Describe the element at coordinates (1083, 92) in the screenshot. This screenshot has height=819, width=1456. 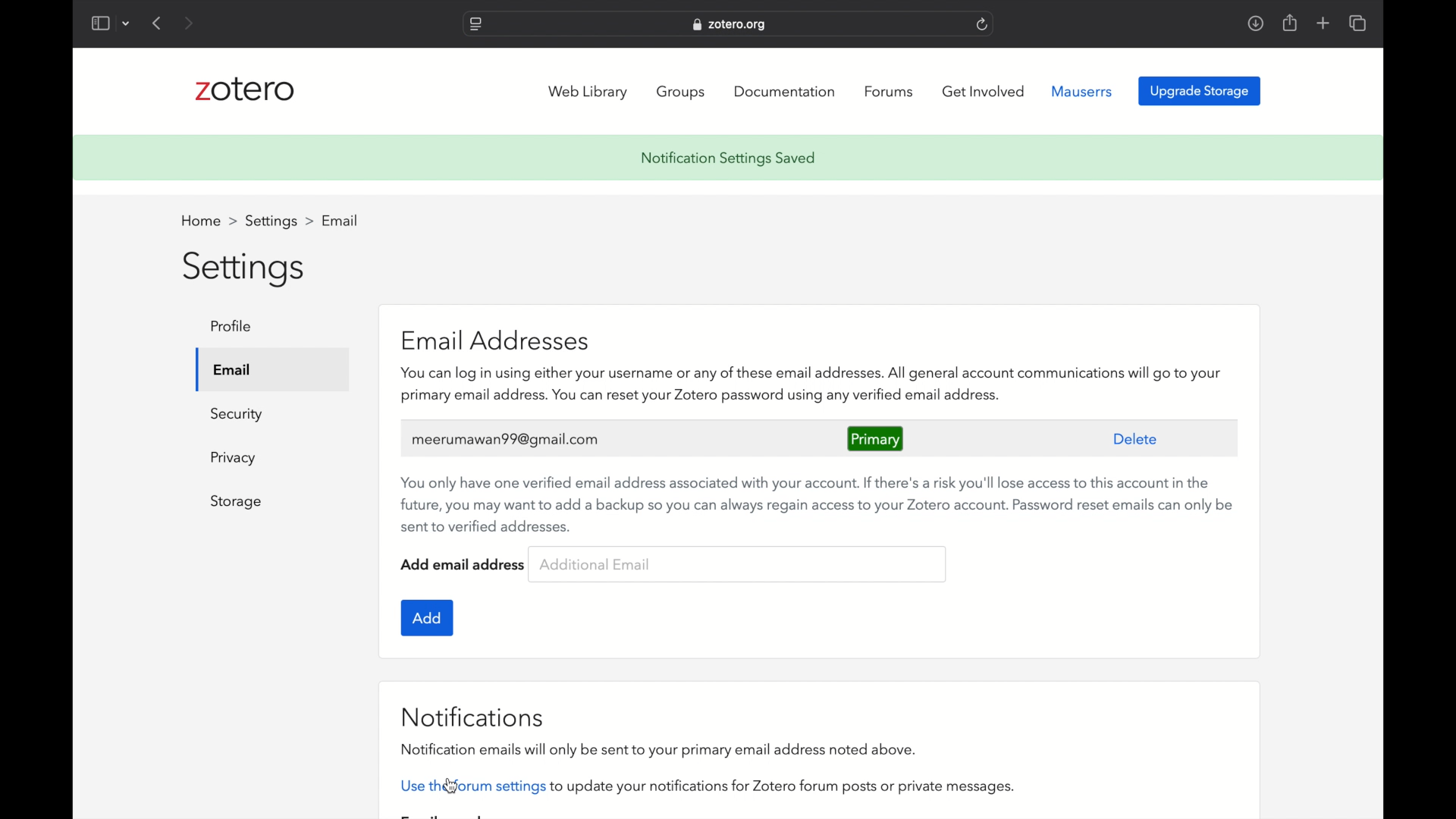
I see `mauserrs` at that location.